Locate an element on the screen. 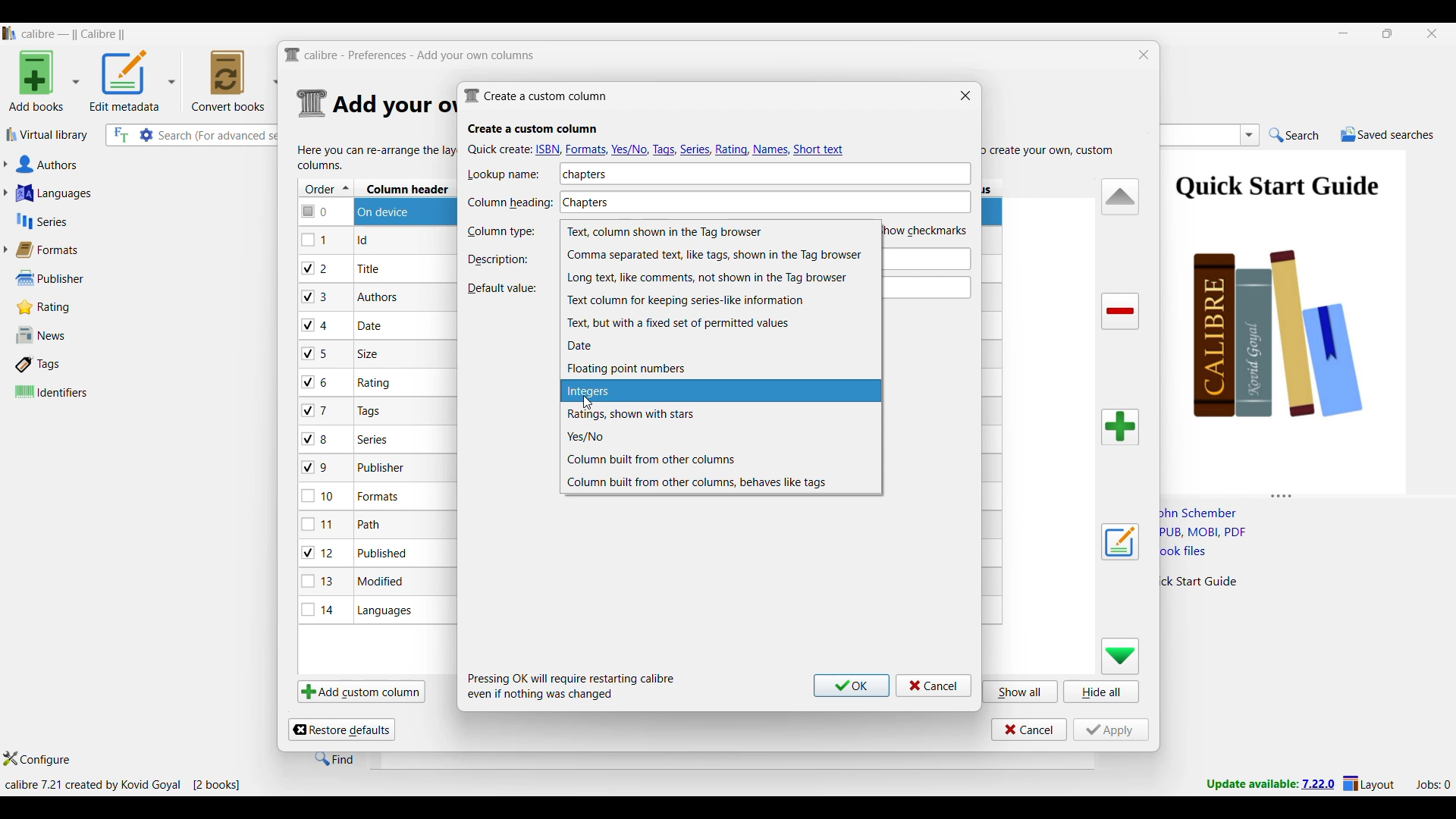 The image size is (1456, 819). Add custom column is located at coordinates (361, 691).